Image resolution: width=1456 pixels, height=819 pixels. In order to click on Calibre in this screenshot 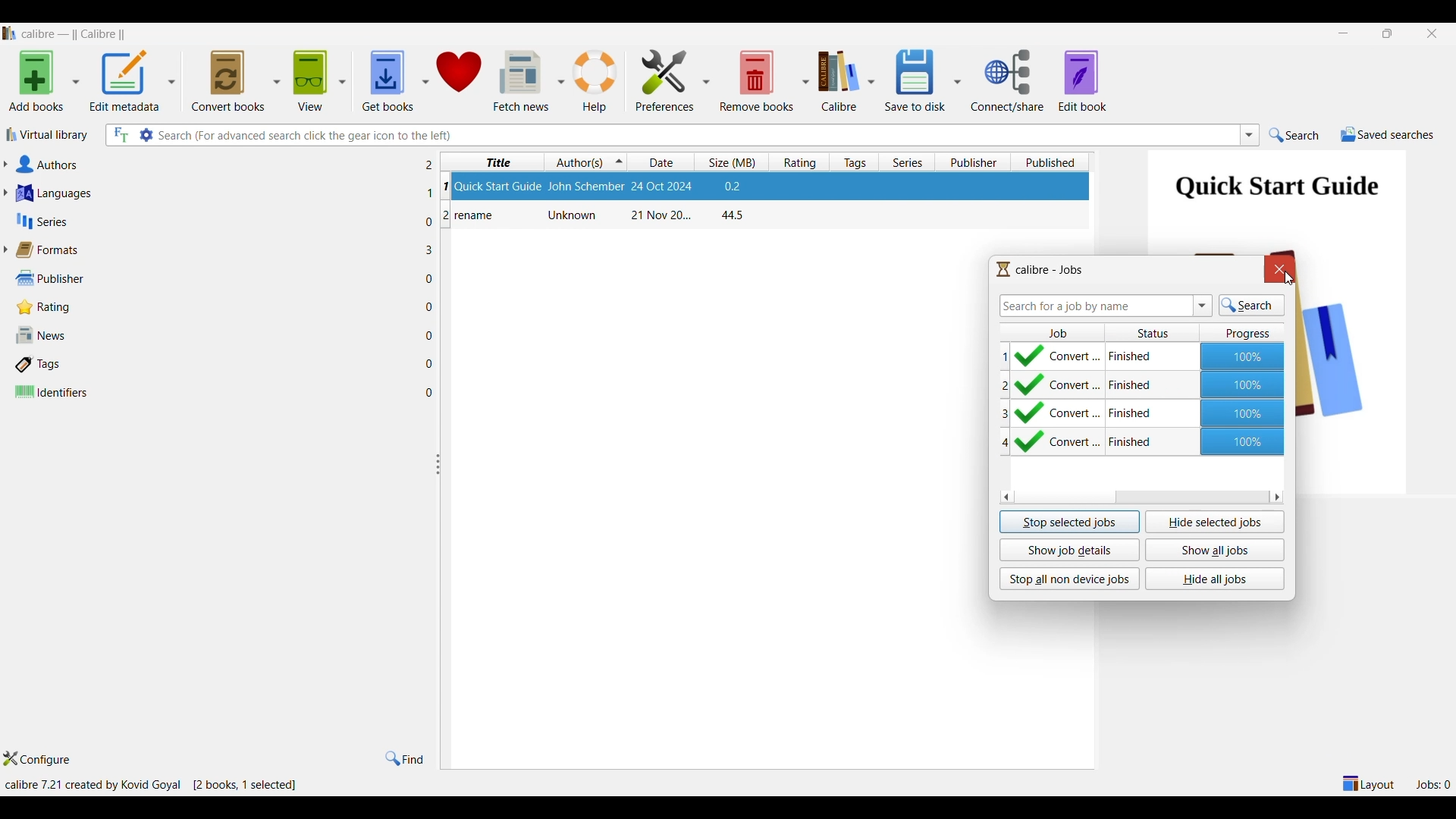, I will do `click(838, 82)`.